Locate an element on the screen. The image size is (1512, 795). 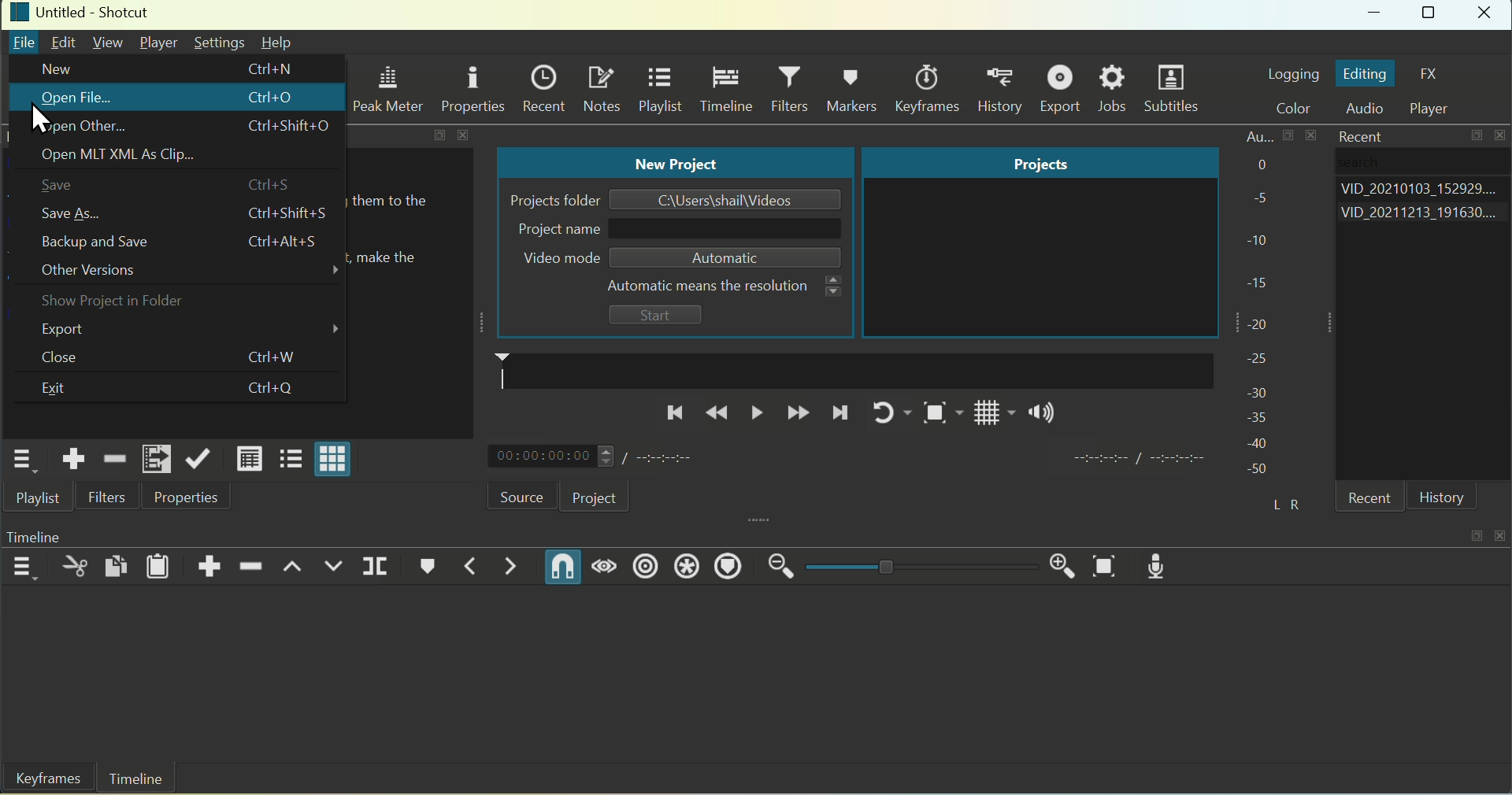
 is located at coordinates (1432, 74).